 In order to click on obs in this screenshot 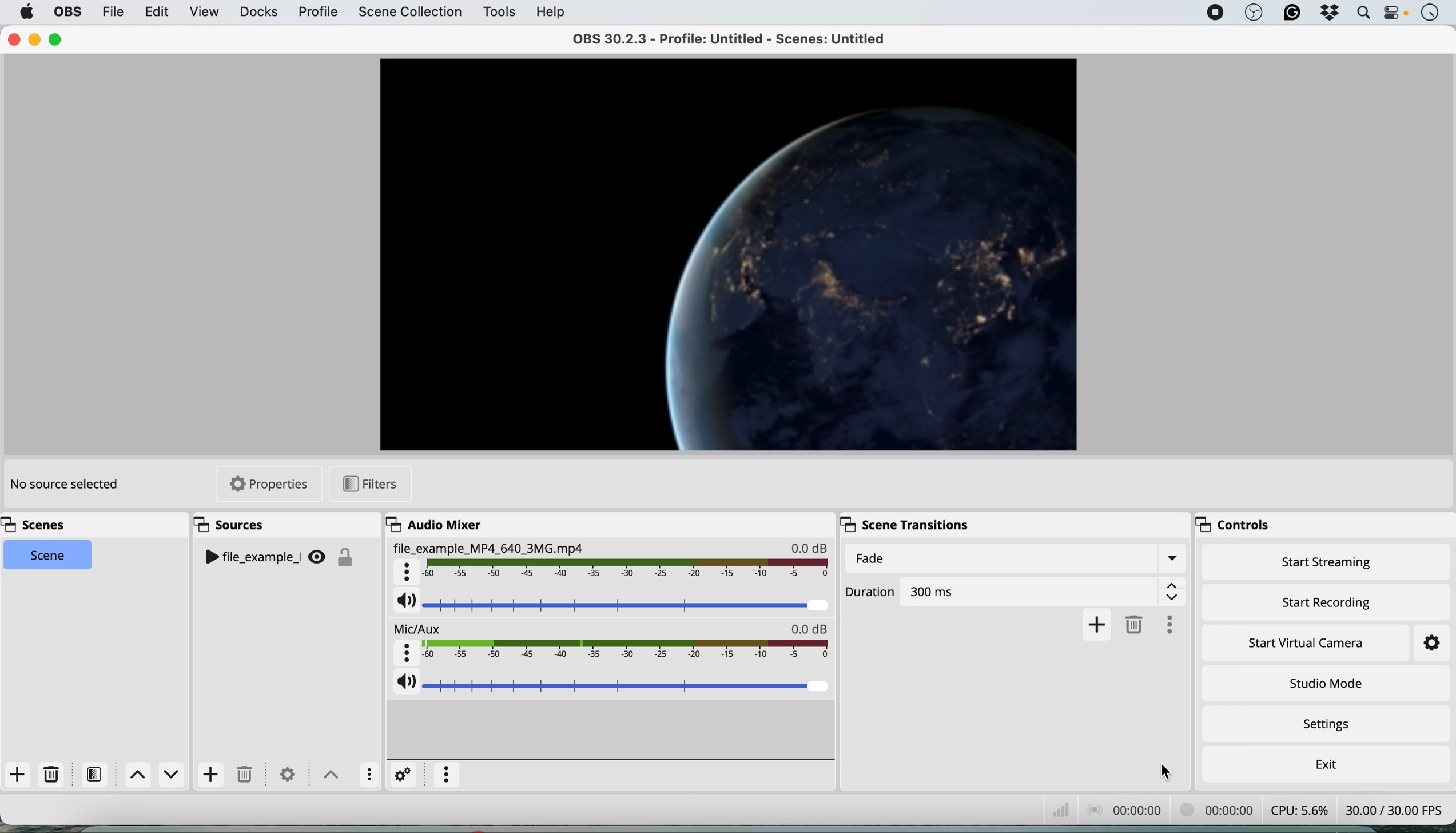, I will do `click(1254, 13)`.